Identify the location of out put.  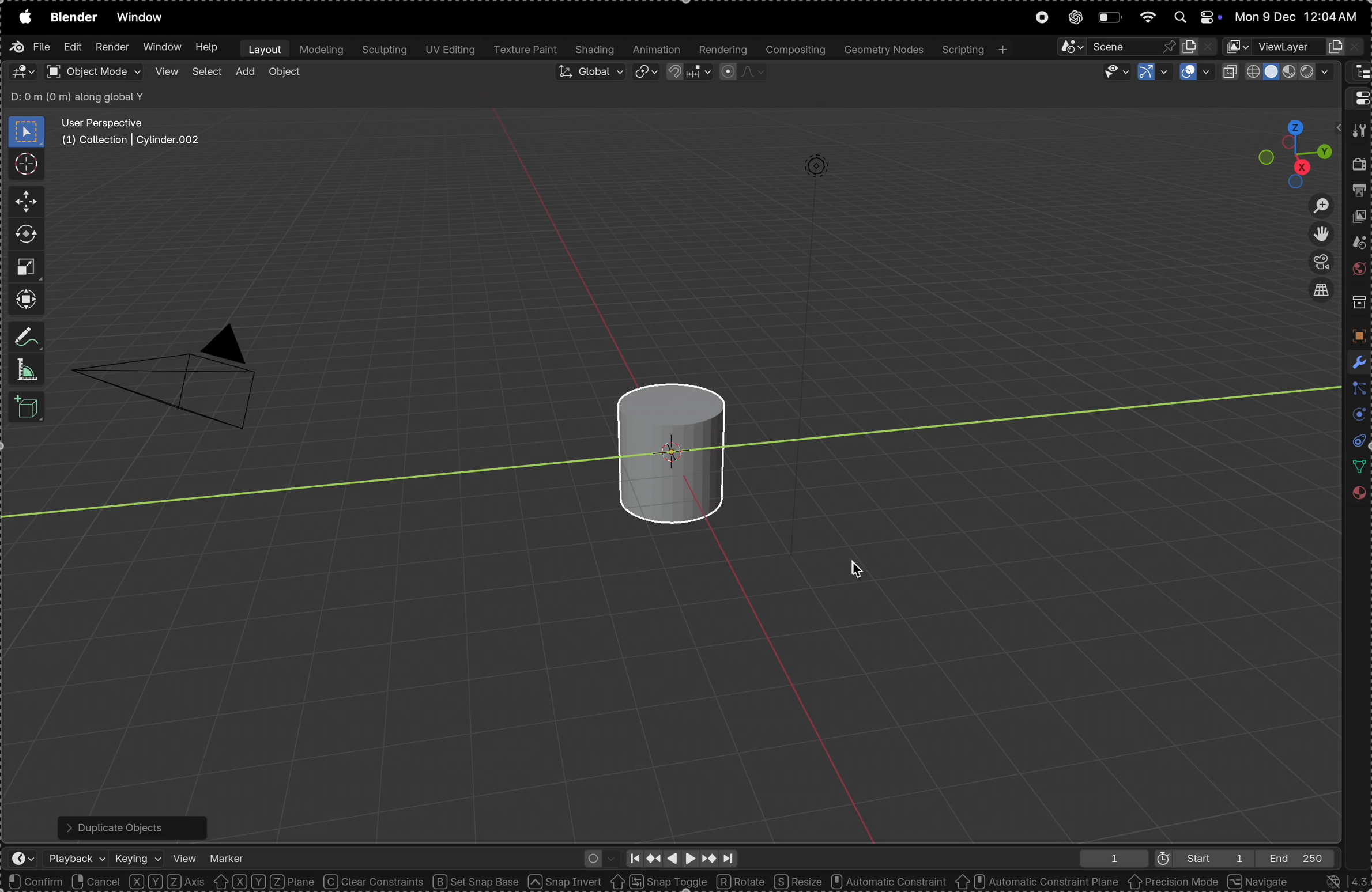
(1359, 192).